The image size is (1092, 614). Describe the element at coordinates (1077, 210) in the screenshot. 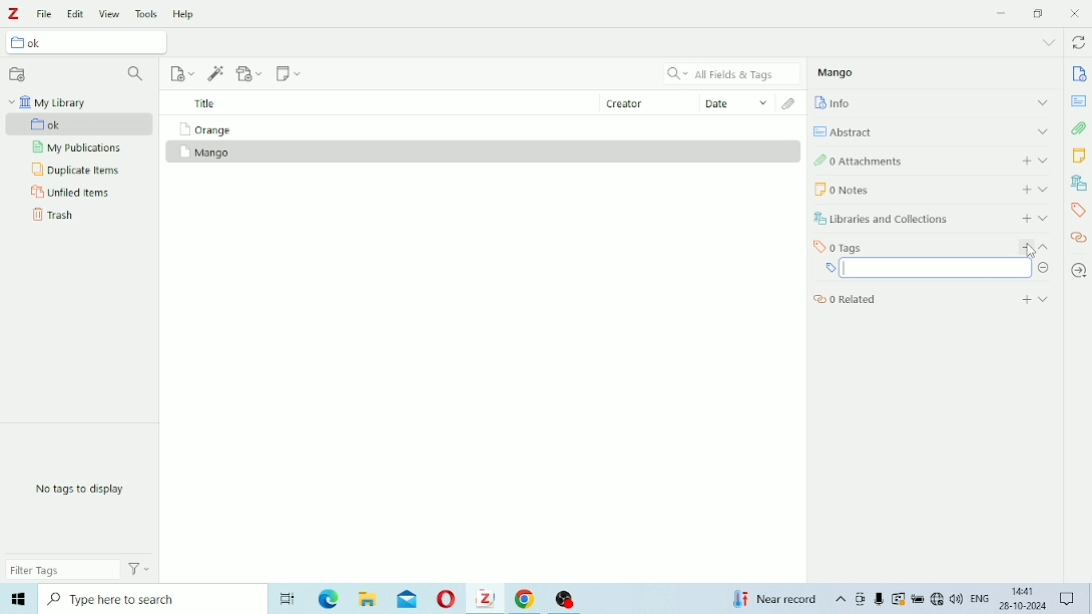

I see `Tags` at that location.